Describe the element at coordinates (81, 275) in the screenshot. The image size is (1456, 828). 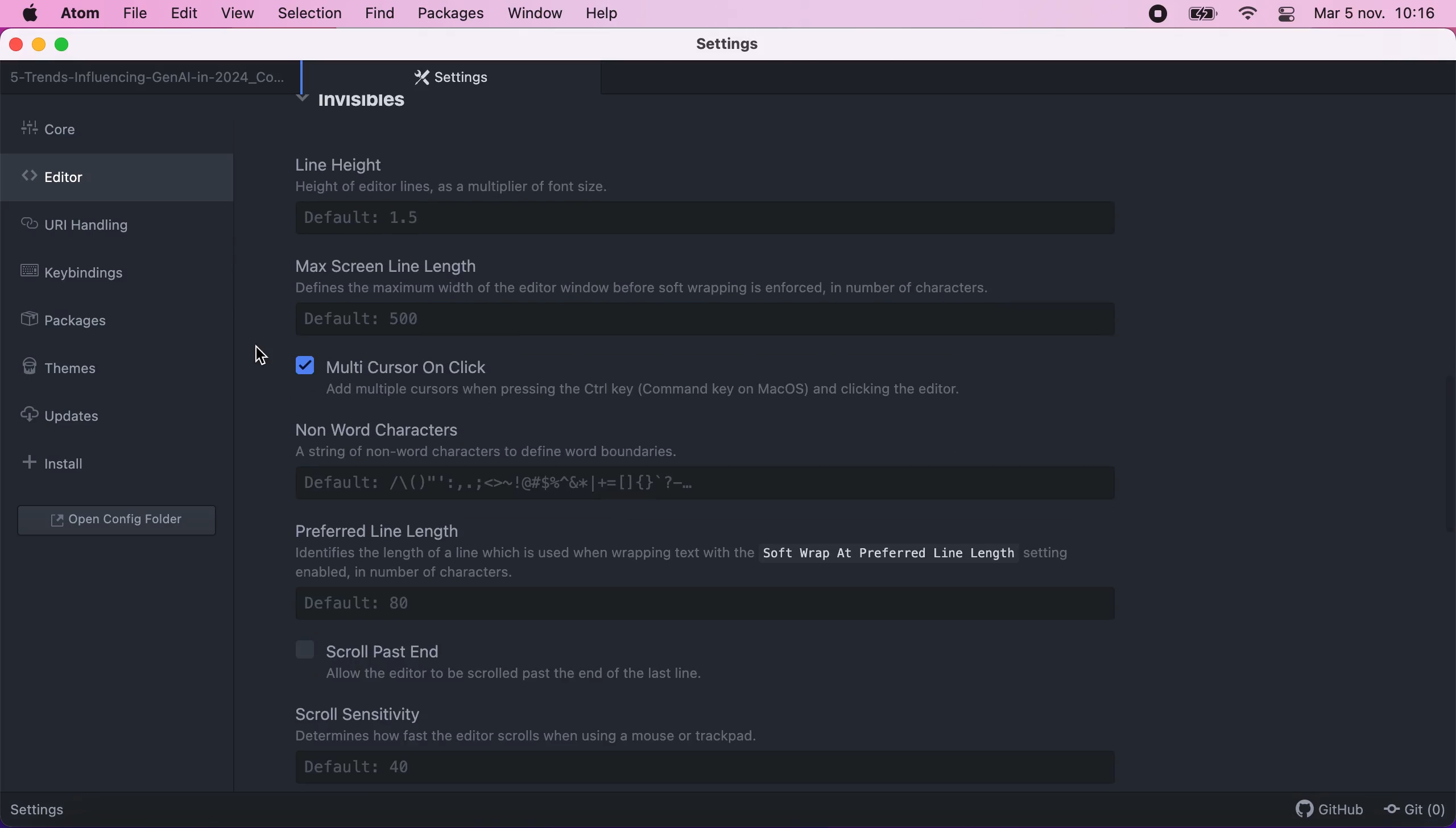
I see `keybindings` at that location.